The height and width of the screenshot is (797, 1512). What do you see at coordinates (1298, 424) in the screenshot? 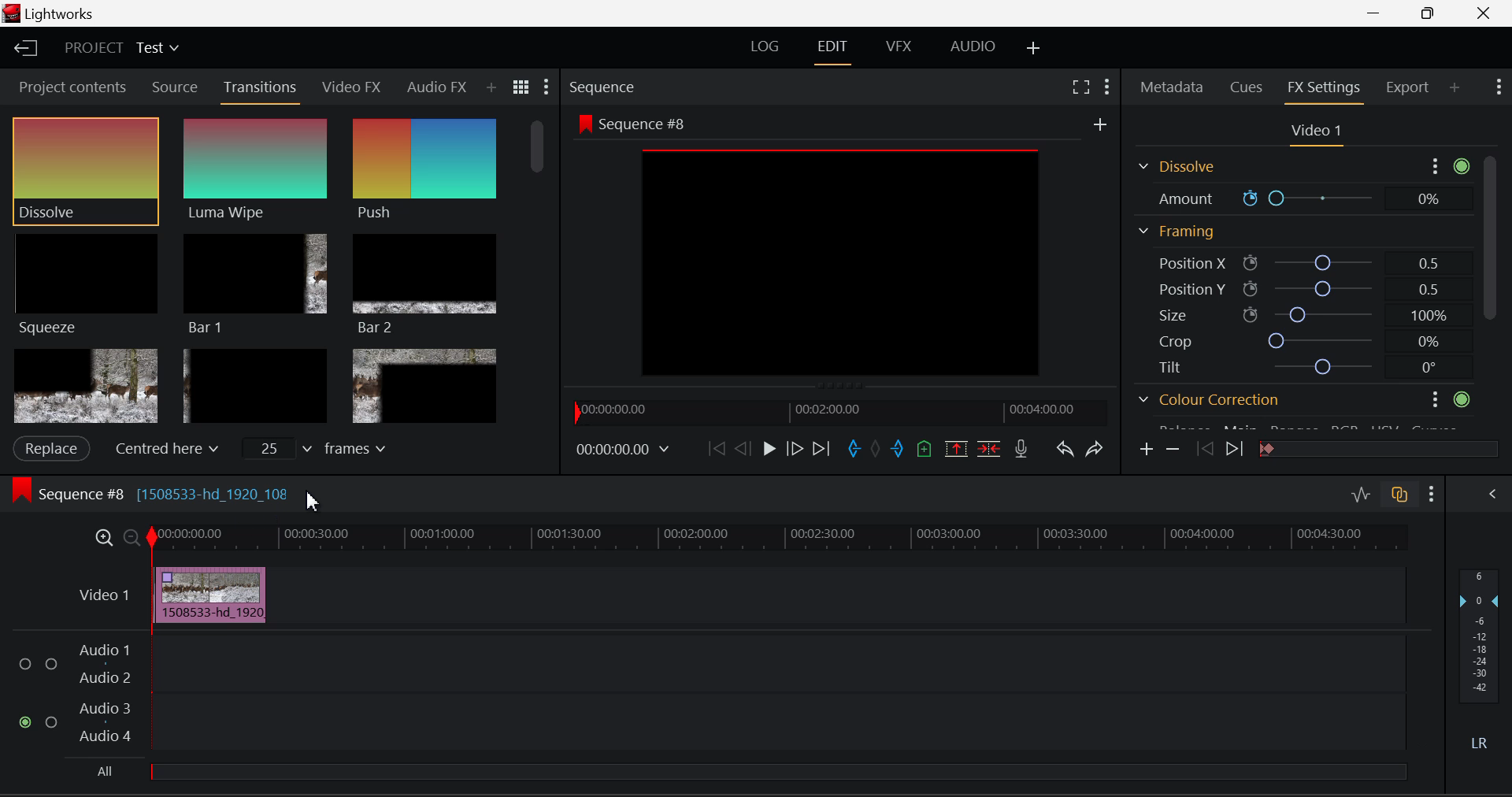
I see `Gamma` at bounding box center [1298, 424].